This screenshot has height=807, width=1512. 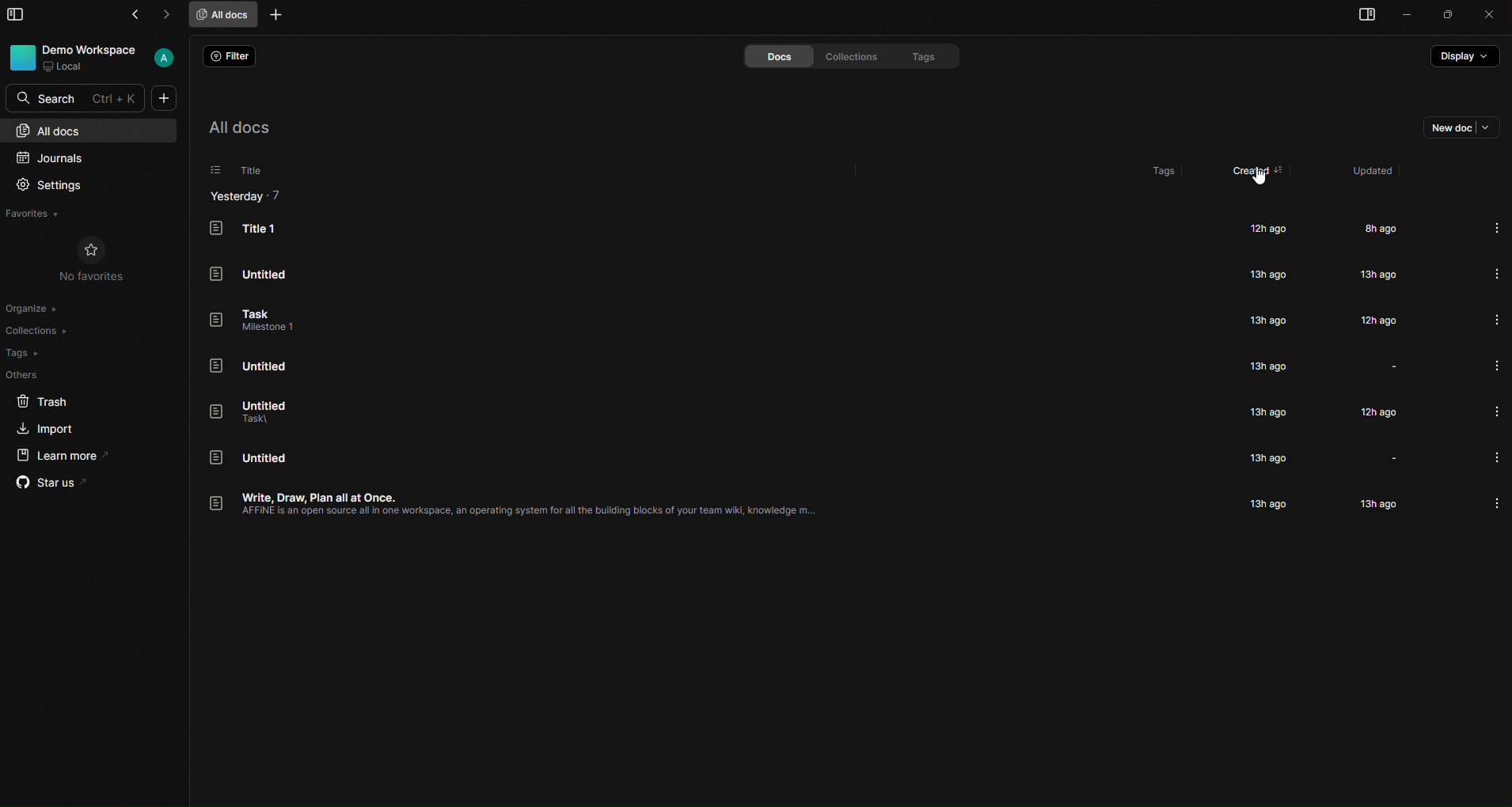 What do you see at coordinates (1266, 412) in the screenshot?
I see `13h ago` at bounding box center [1266, 412].